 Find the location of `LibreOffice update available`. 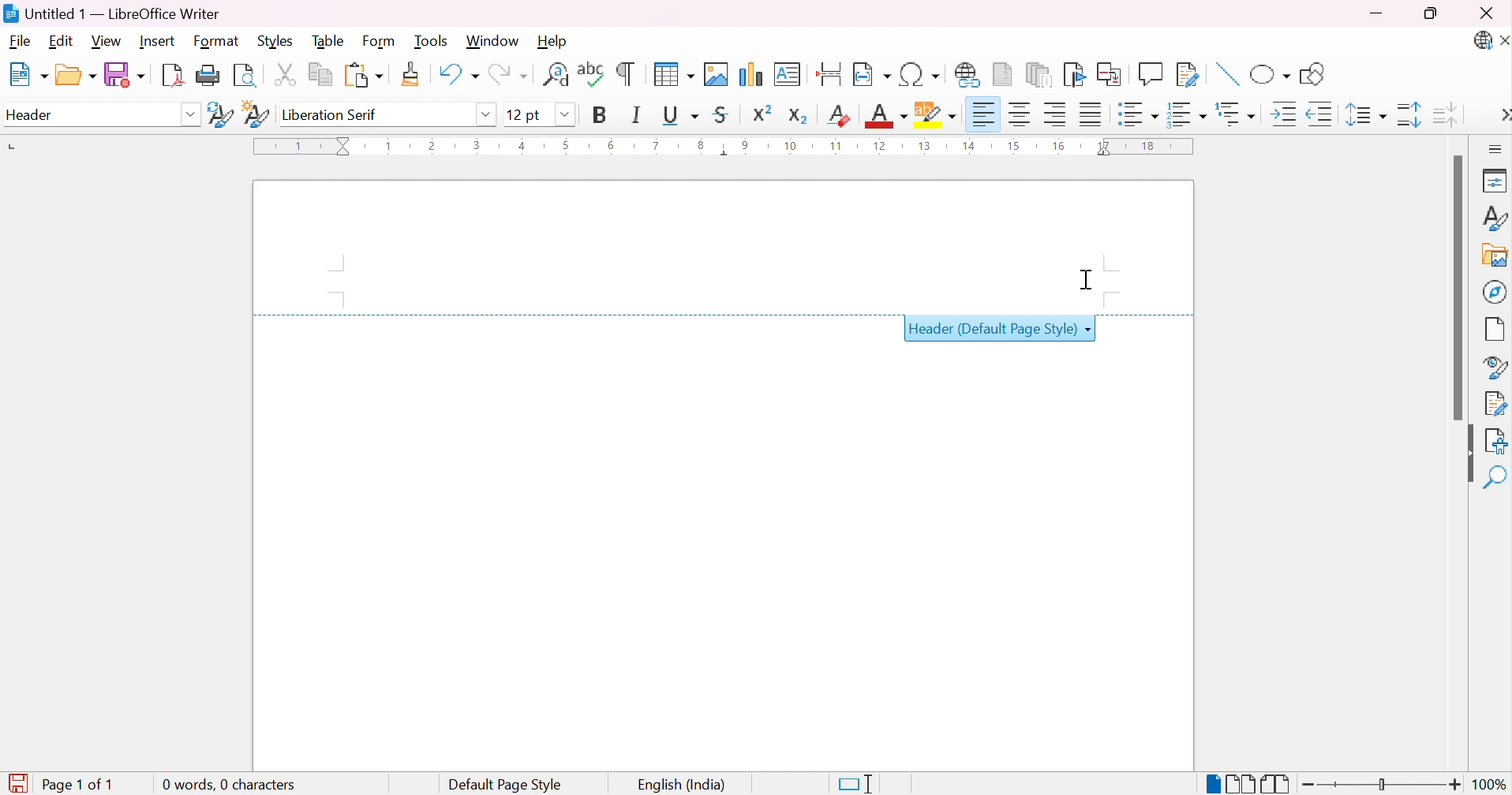

LibreOffice update available is located at coordinates (1482, 42).